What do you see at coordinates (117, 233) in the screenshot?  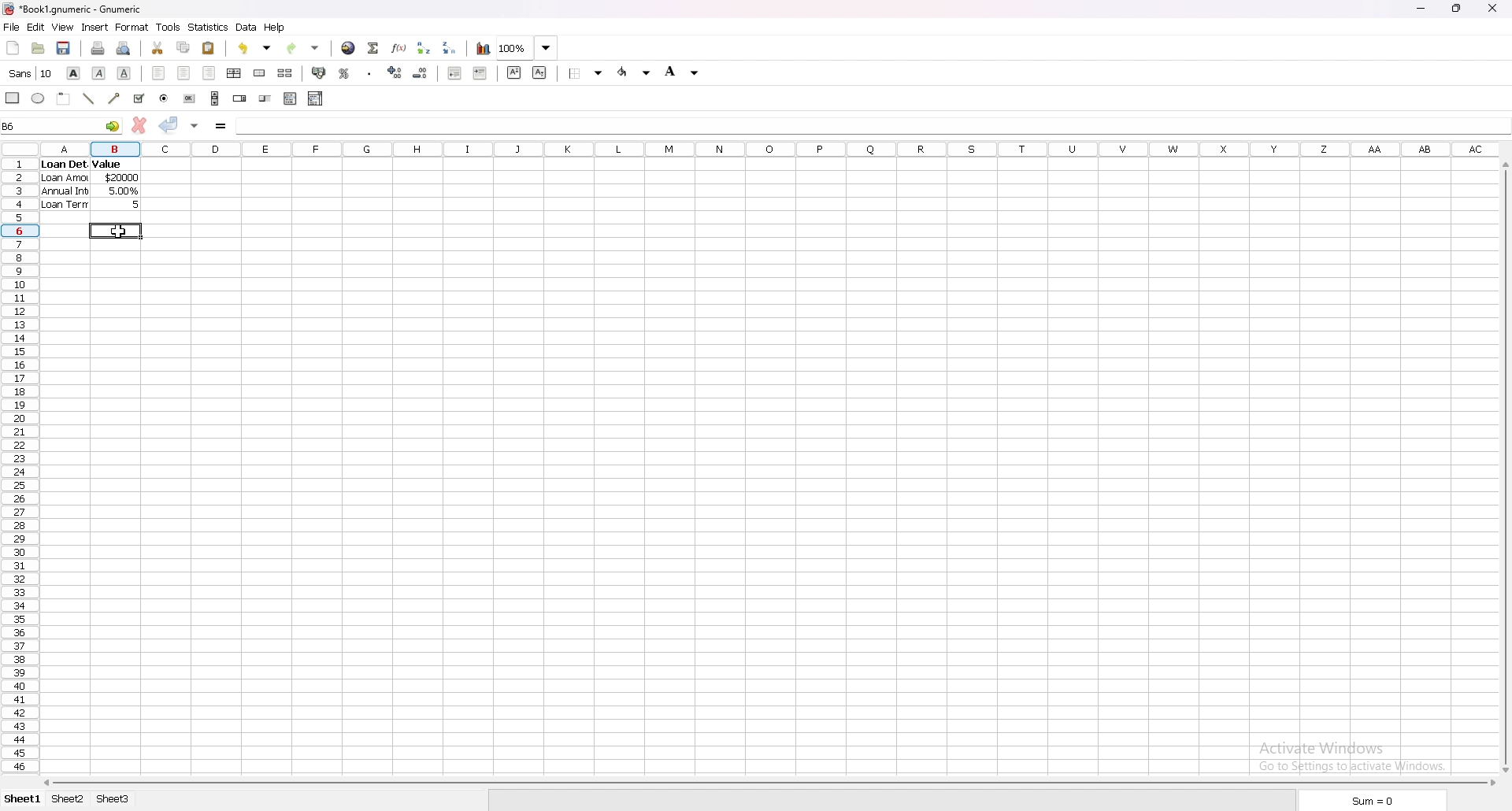 I see `cursor` at bounding box center [117, 233].